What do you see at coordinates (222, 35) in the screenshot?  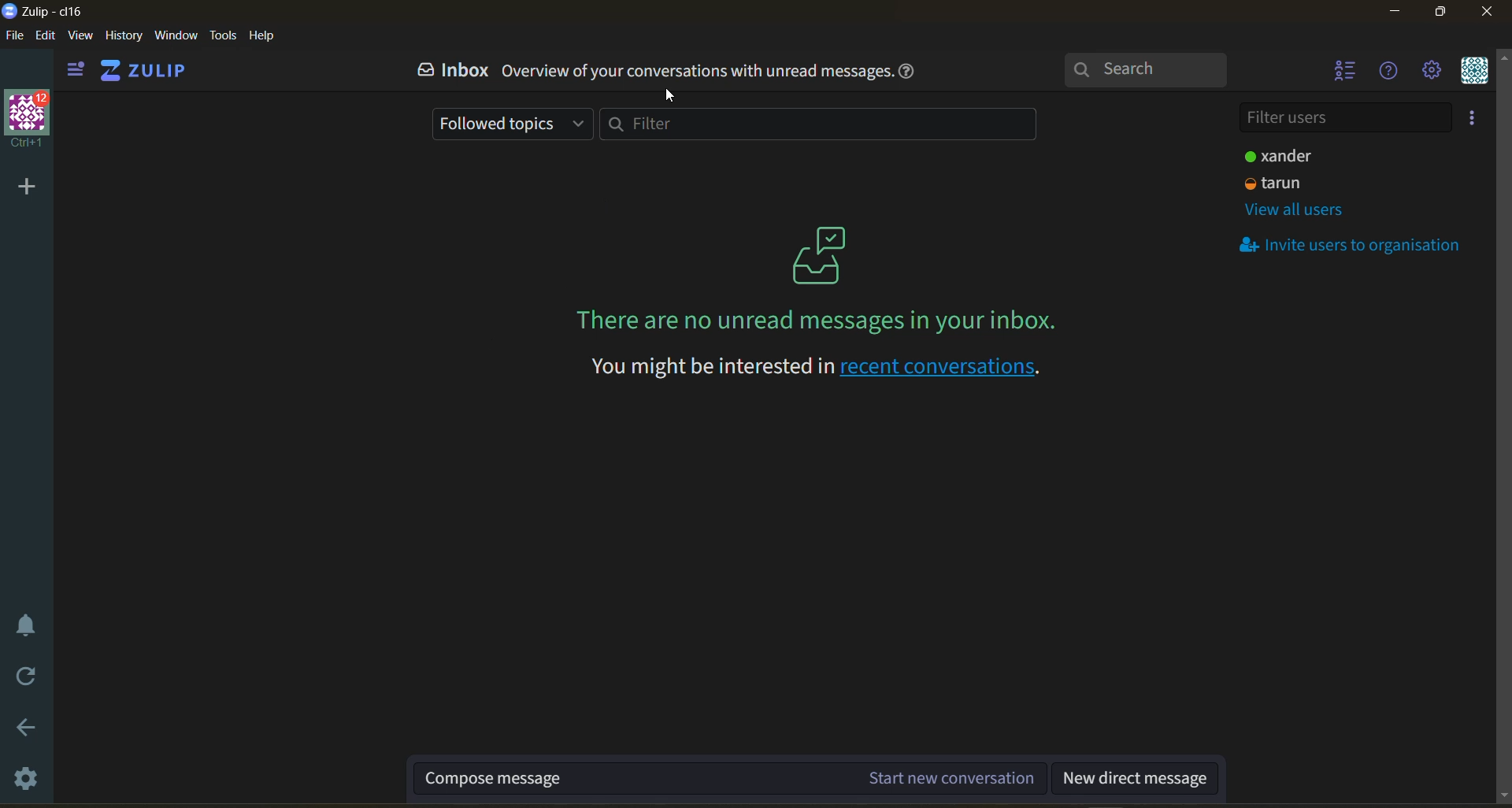 I see `tools` at bounding box center [222, 35].